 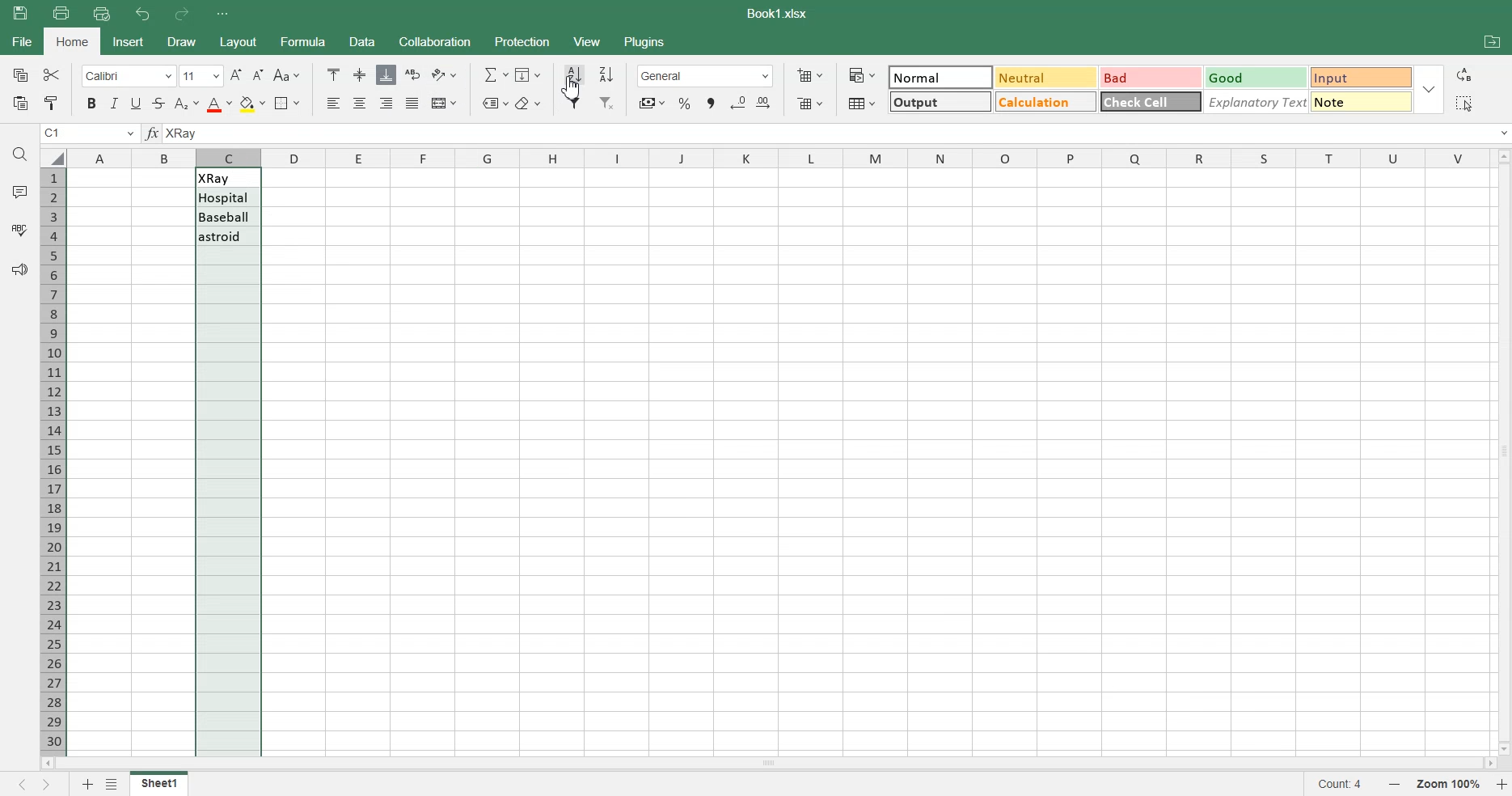 I want to click on Redo, so click(x=180, y=15).